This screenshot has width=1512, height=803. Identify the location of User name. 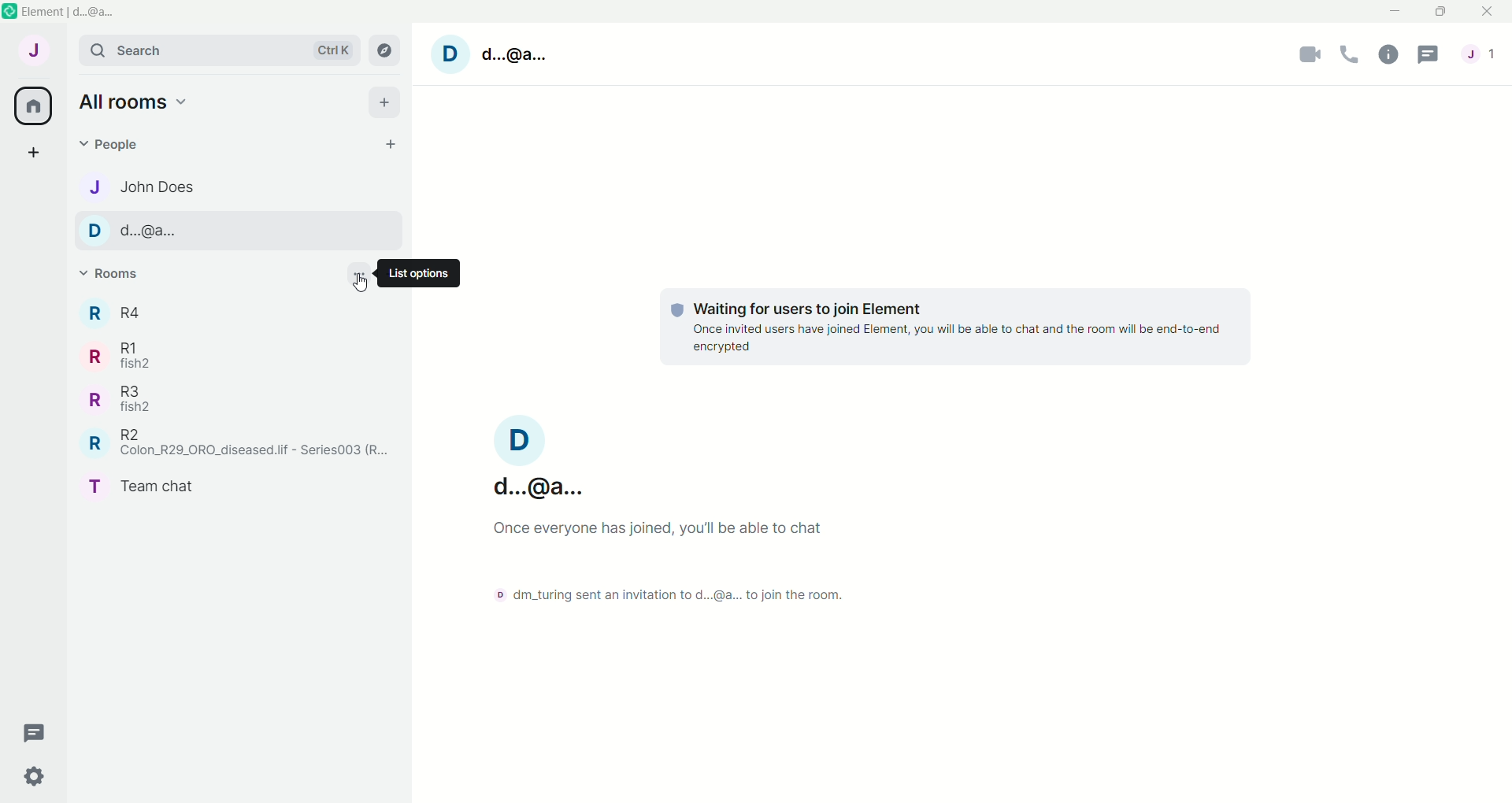
(494, 52).